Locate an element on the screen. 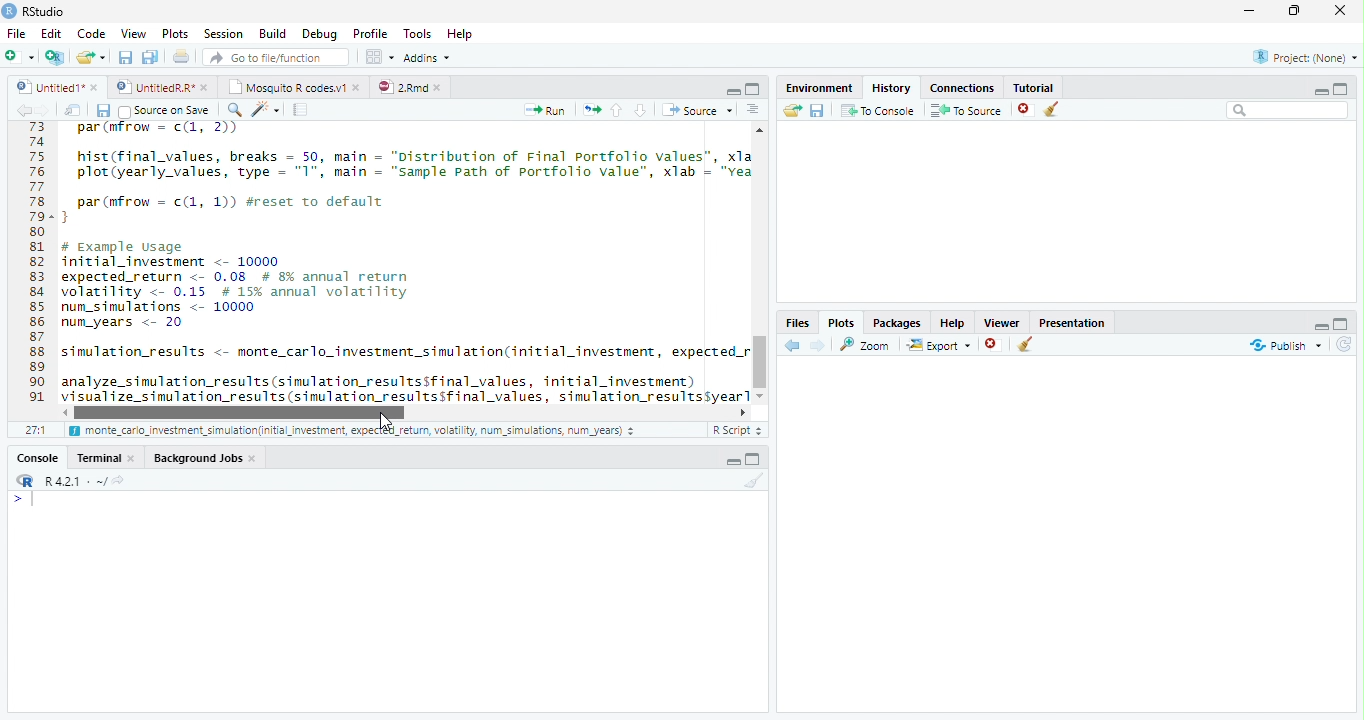 This screenshot has width=1364, height=720. Console is located at coordinates (38, 457).